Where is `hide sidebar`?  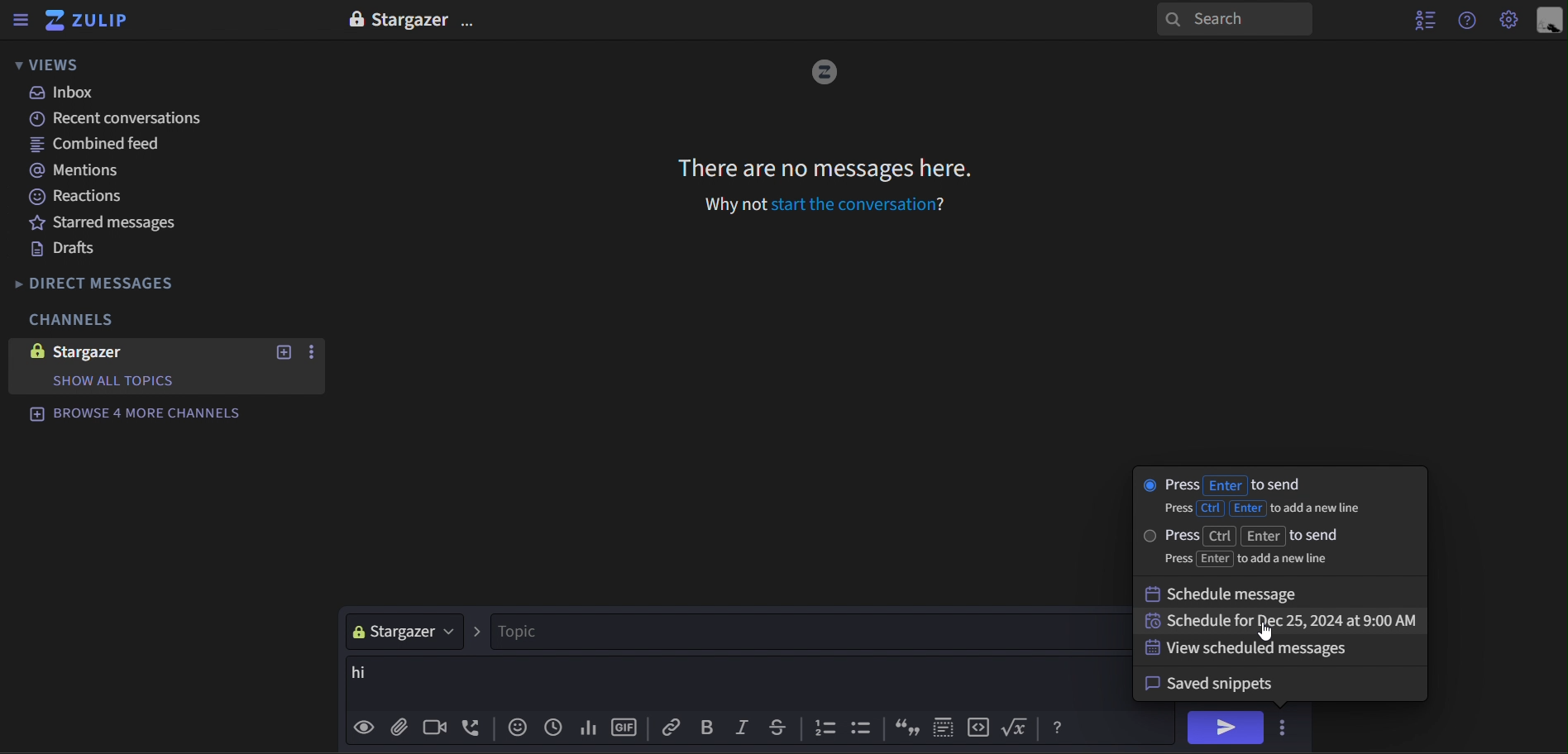
hide sidebar is located at coordinates (21, 21).